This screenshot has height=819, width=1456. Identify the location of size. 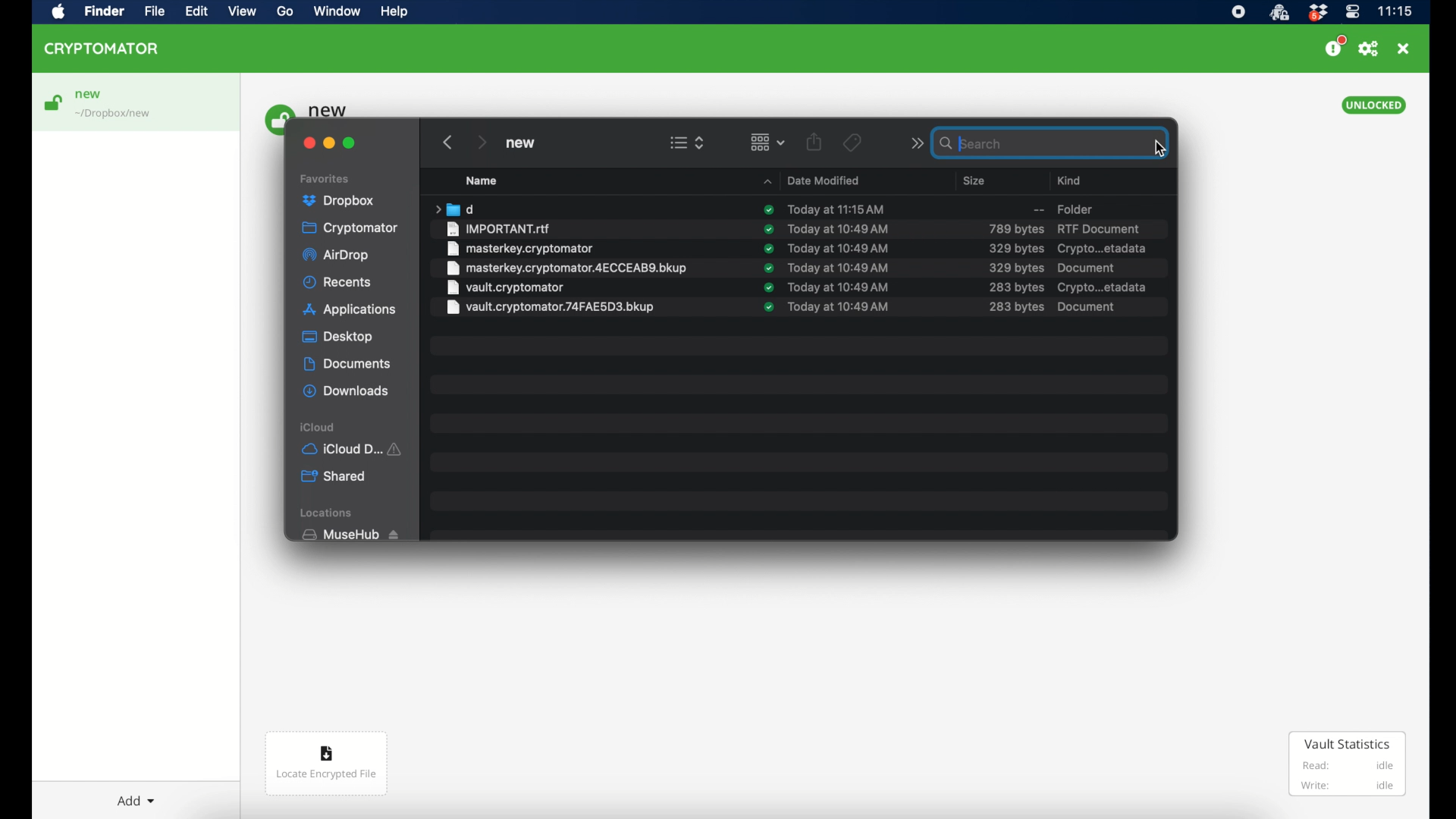
(1016, 307).